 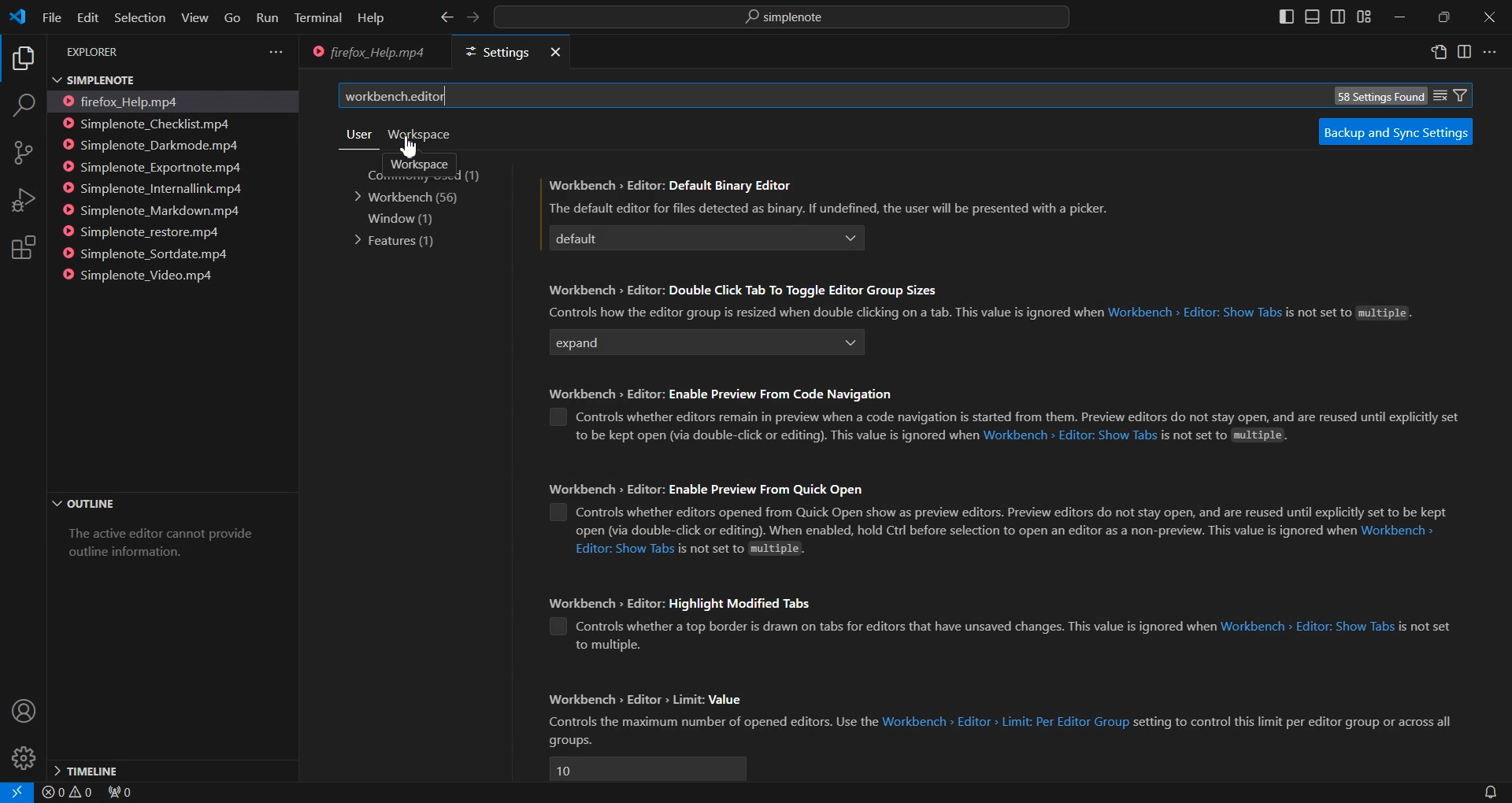 I want to click on Close, so click(x=1489, y=18).